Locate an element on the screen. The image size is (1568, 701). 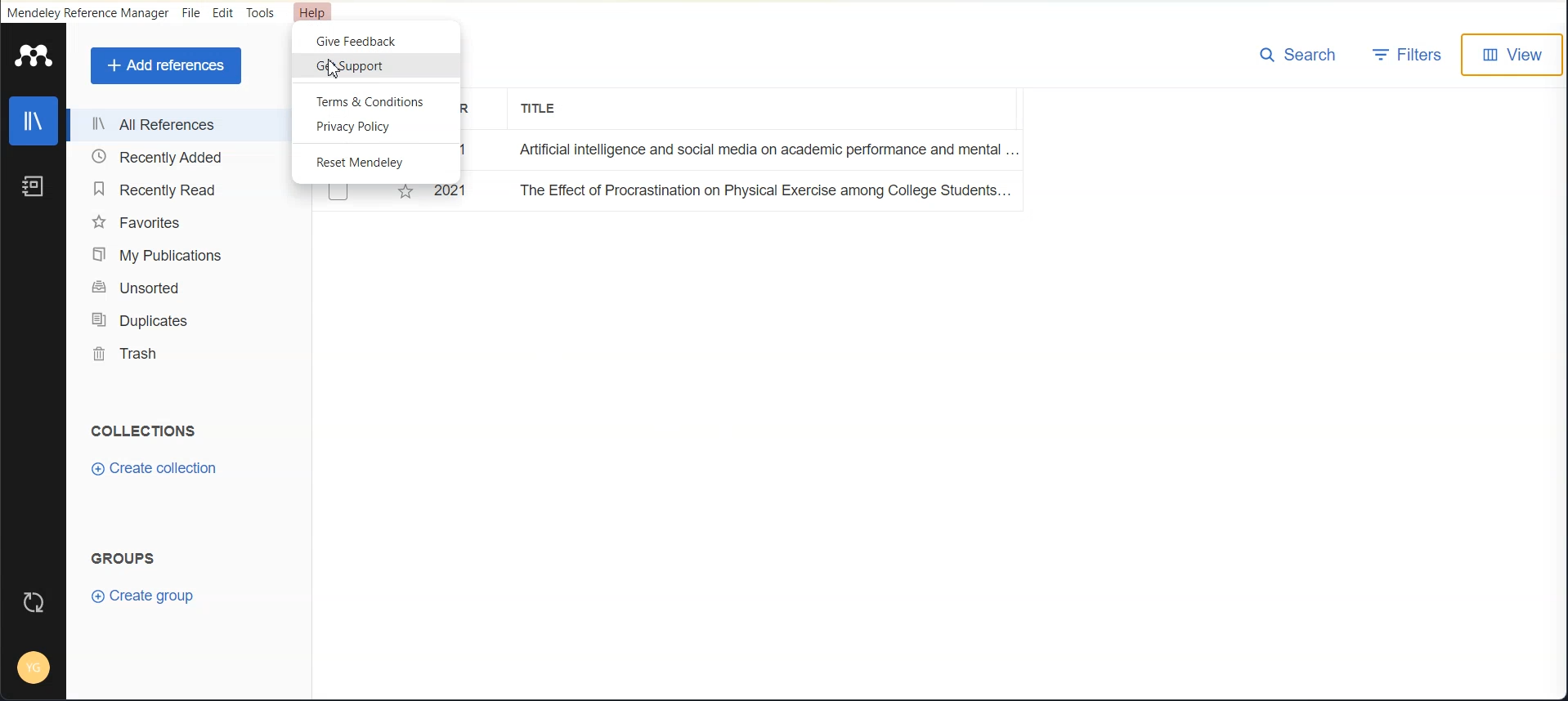
Mendeley Reference Manager is located at coordinates (88, 13).